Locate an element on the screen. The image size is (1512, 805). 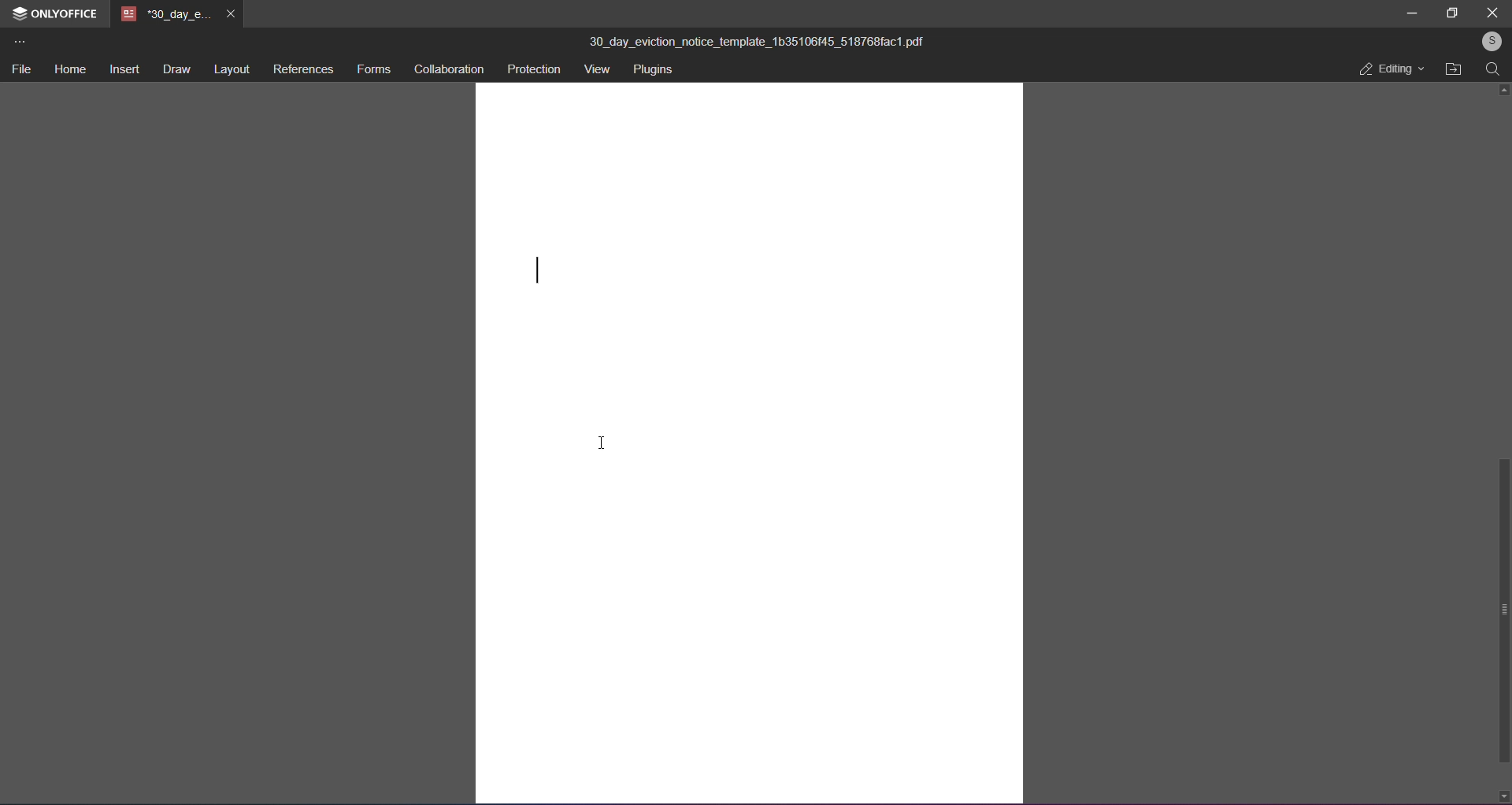
forms is located at coordinates (372, 71).